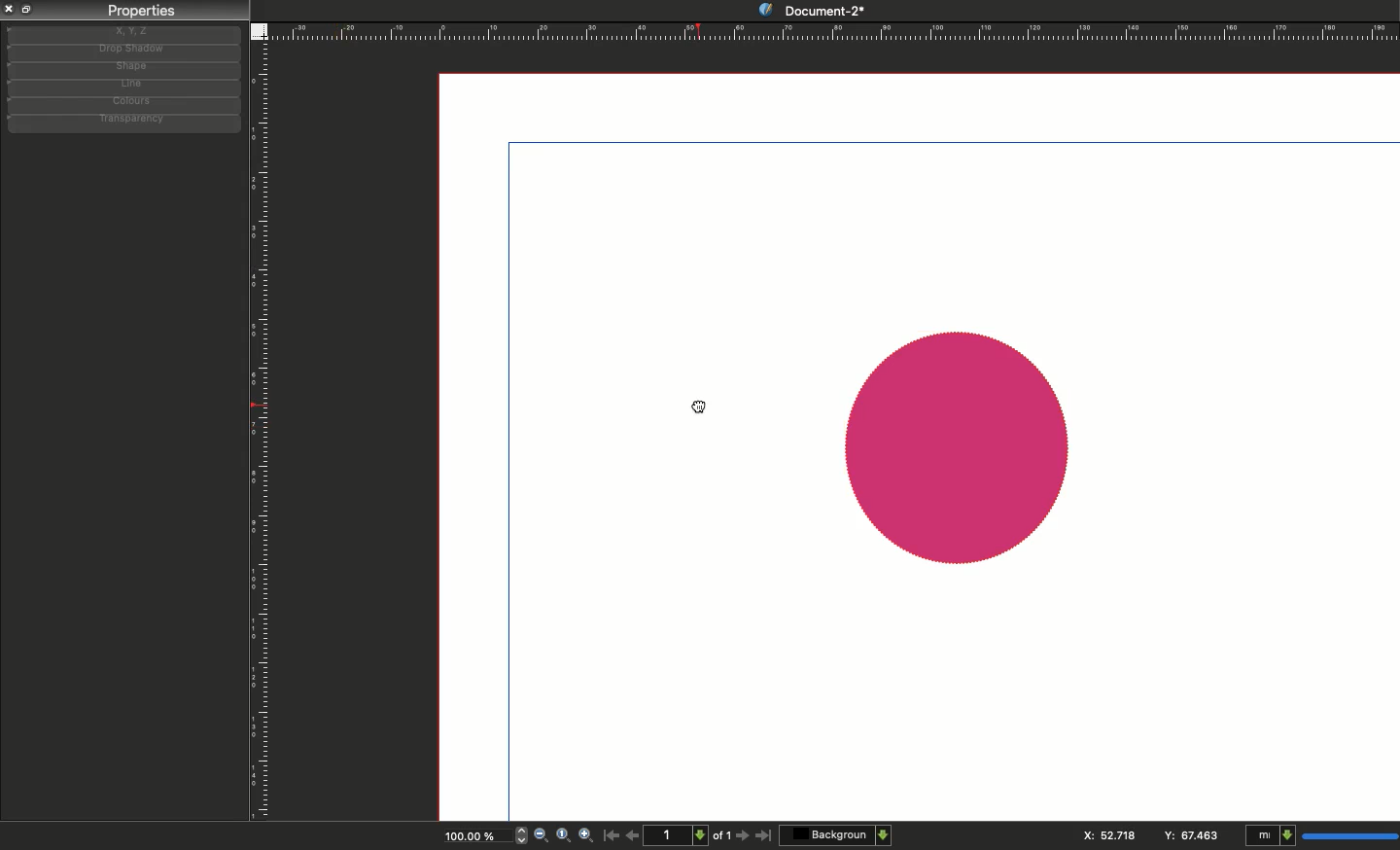 The image size is (1400, 850). Describe the element at coordinates (29, 9) in the screenshot. I see `Collapse` at that location.